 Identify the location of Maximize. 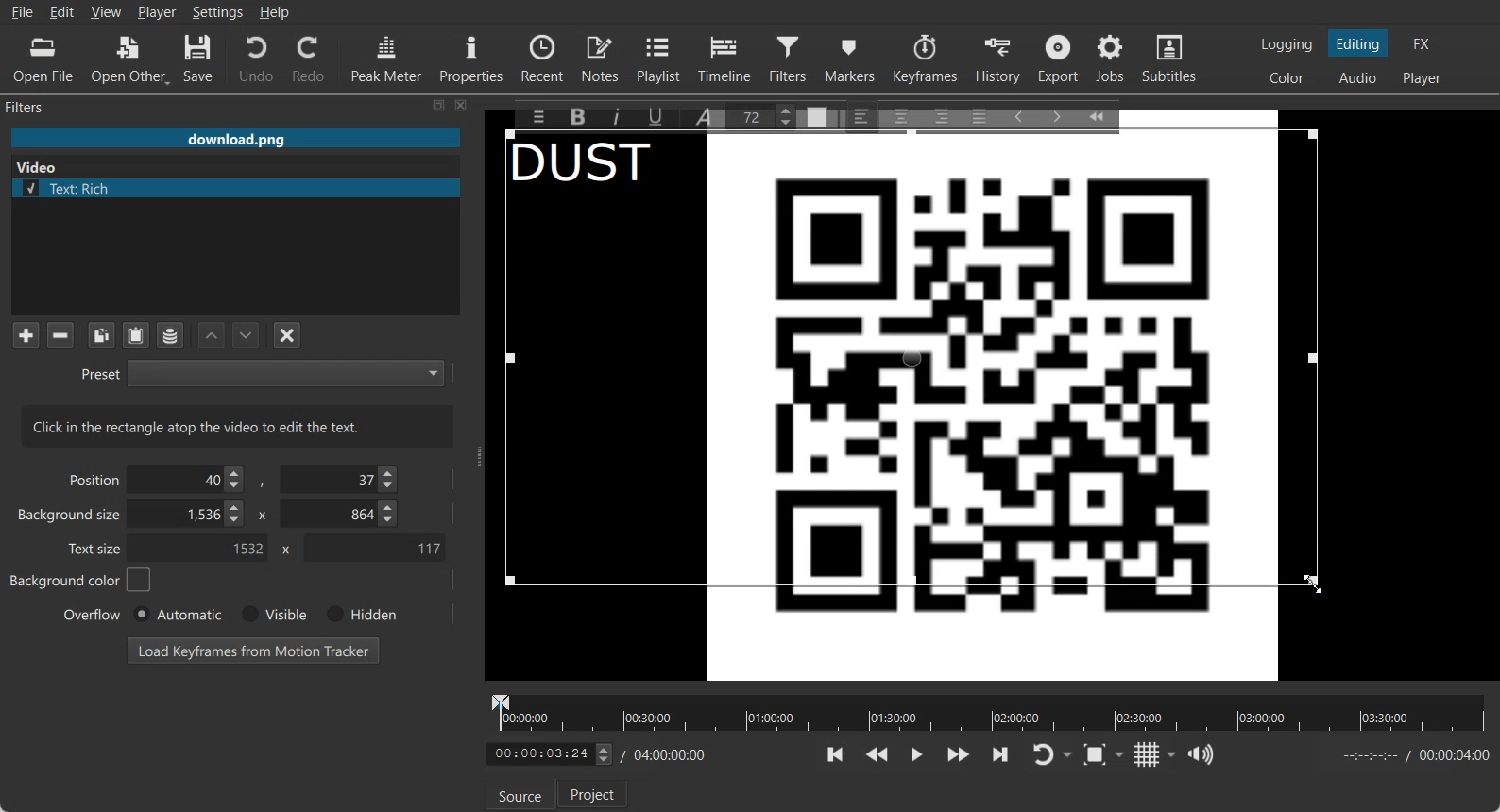
(439, 105).